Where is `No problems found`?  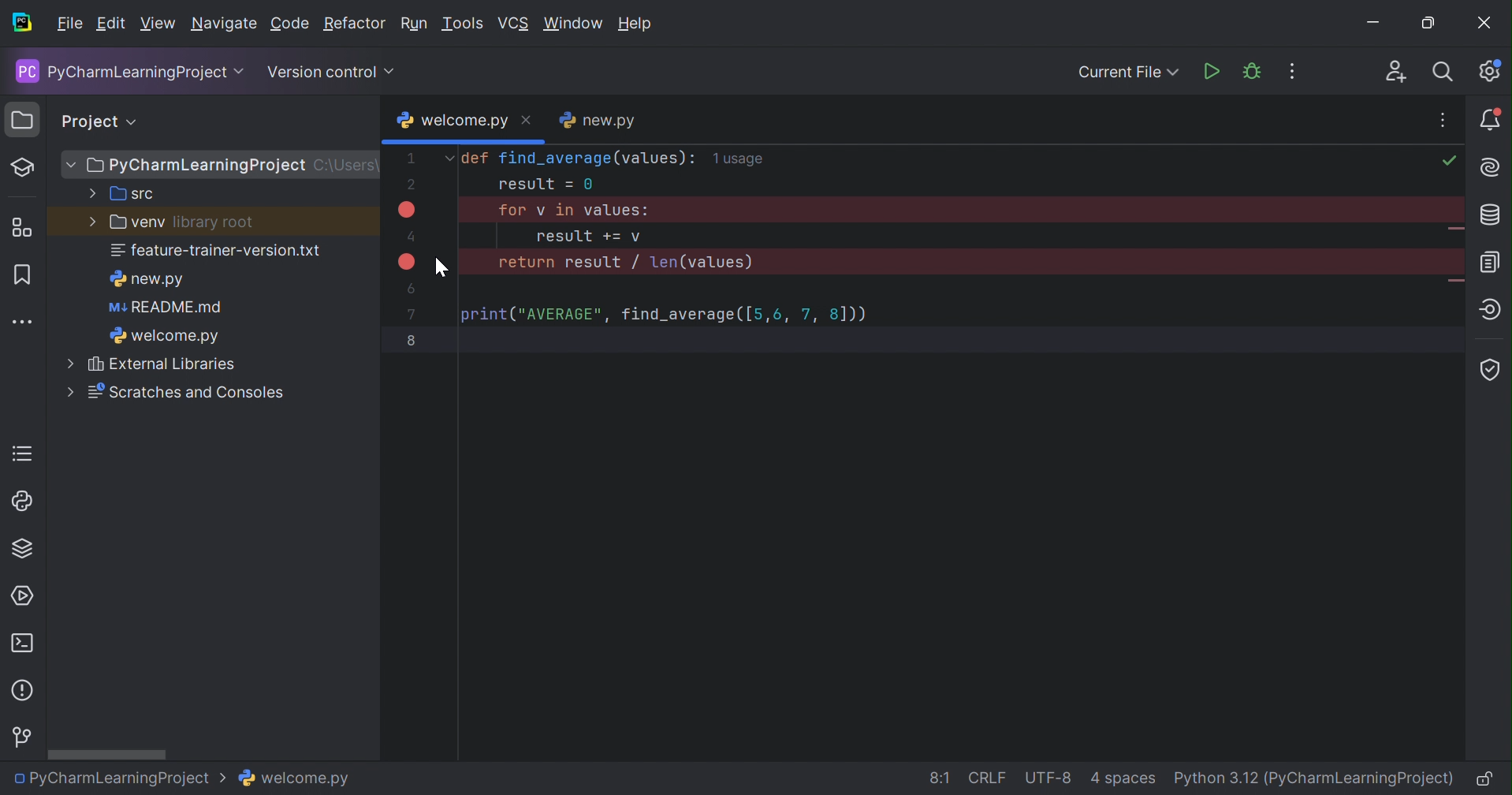
No problems found is located at coordinates (1448, 162).